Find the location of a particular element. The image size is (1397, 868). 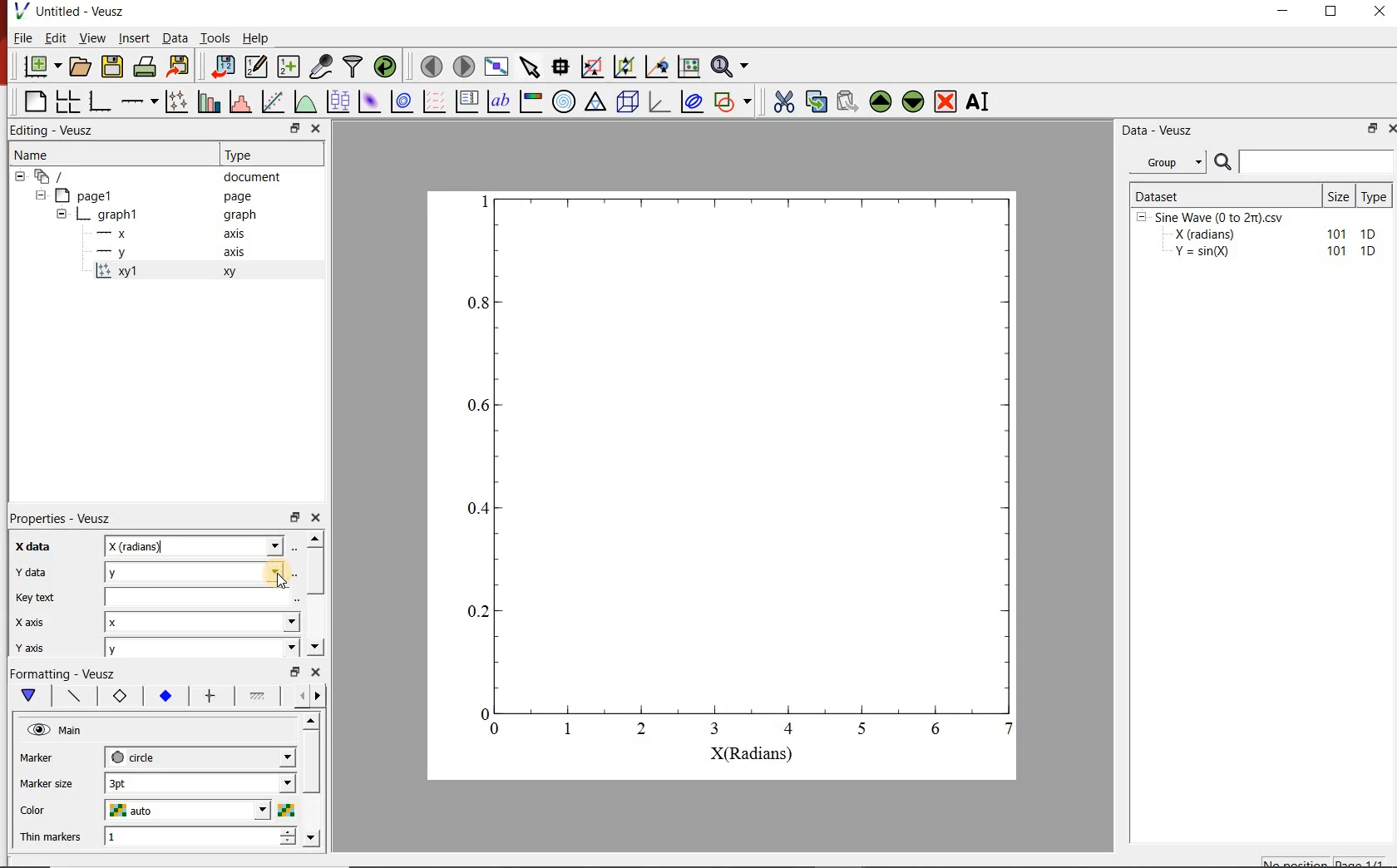

xy is located at coordinates (226, 272).